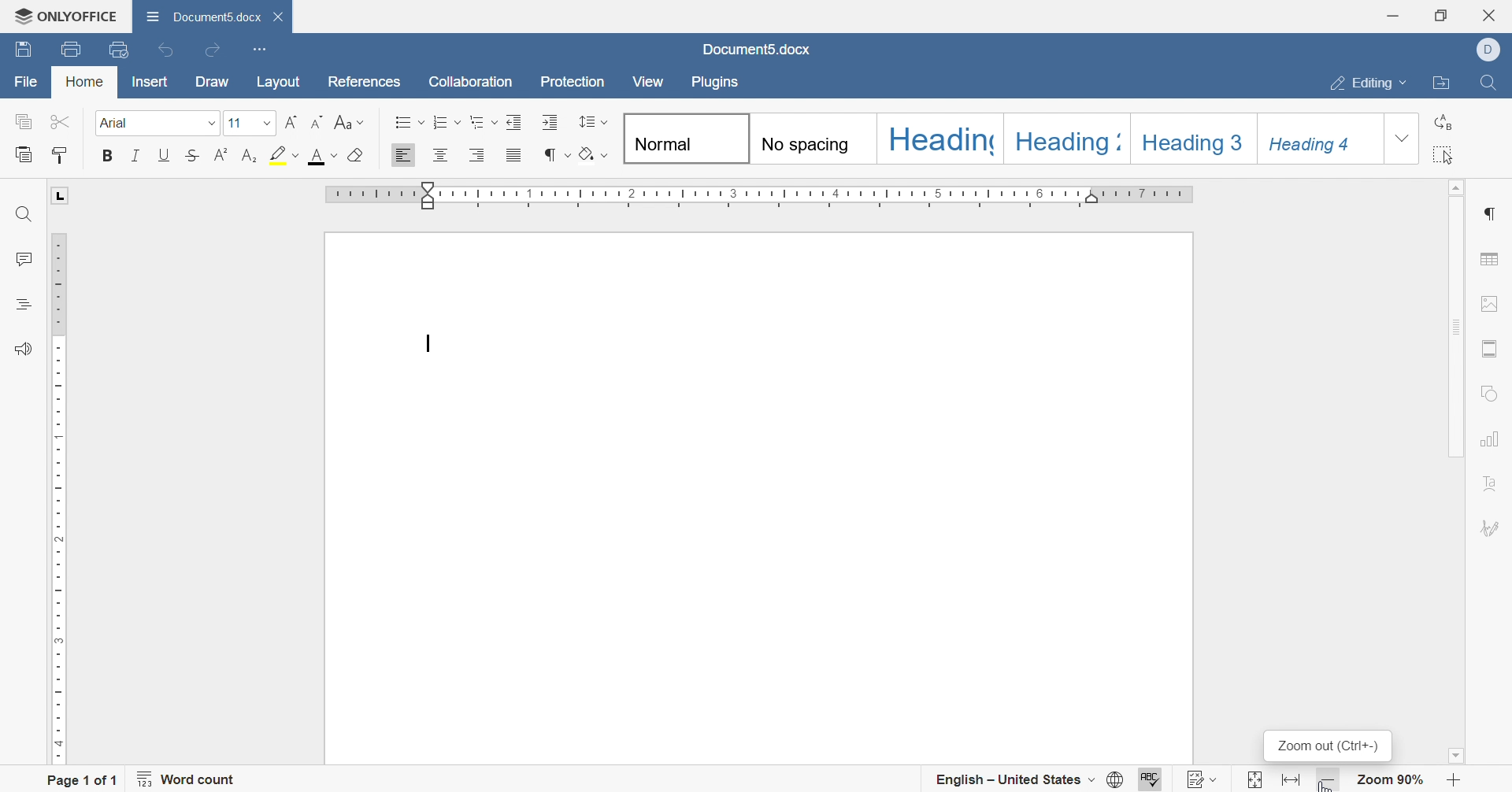 The width and height of the screenshot is (1512, 792). Describe the element at coordinates (27, 213) in the screenshot. I see `find` at that location.